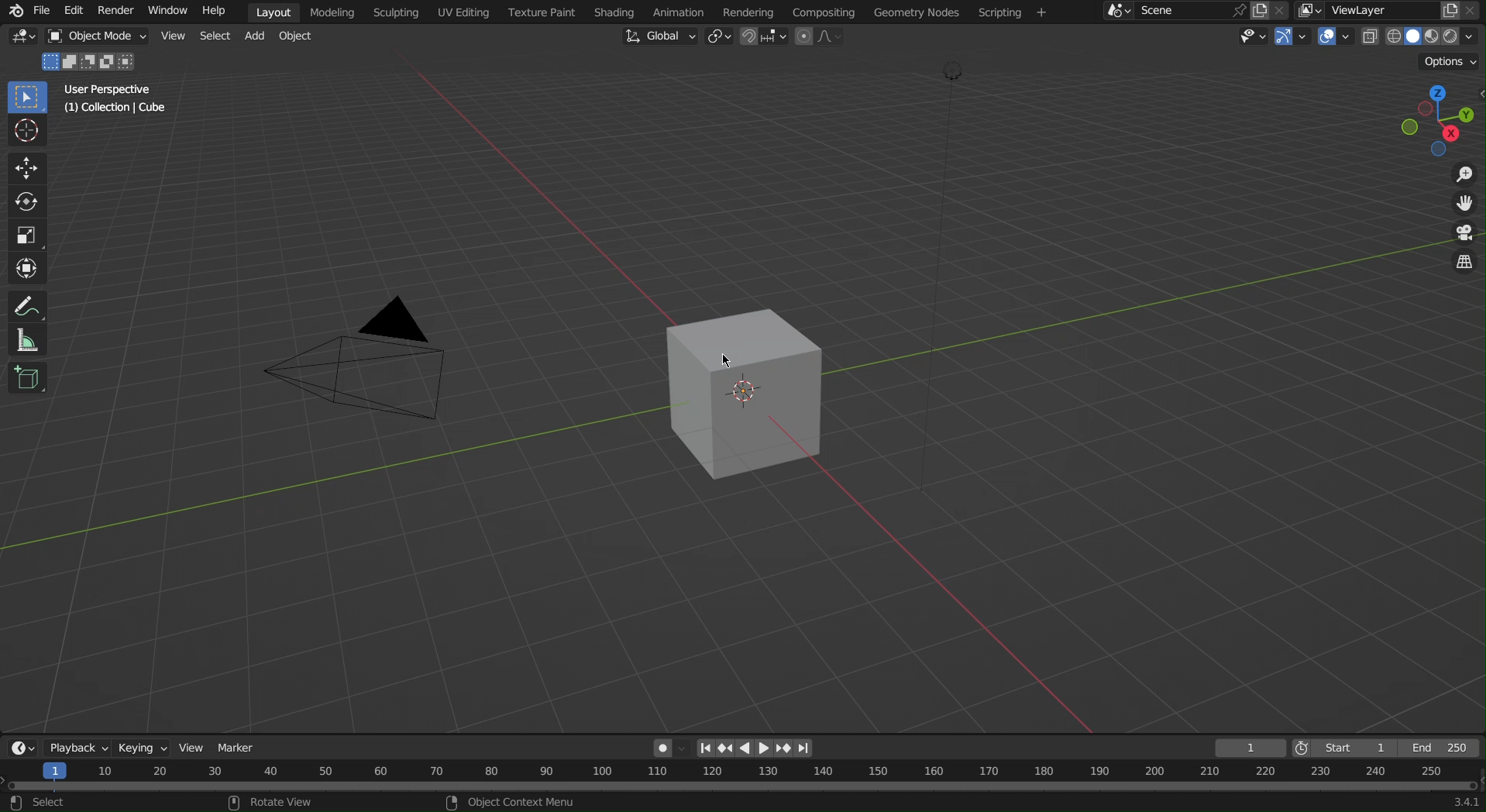 The image size is (1486, 812). I want to click on Collection | Cube, so click(118, 109).